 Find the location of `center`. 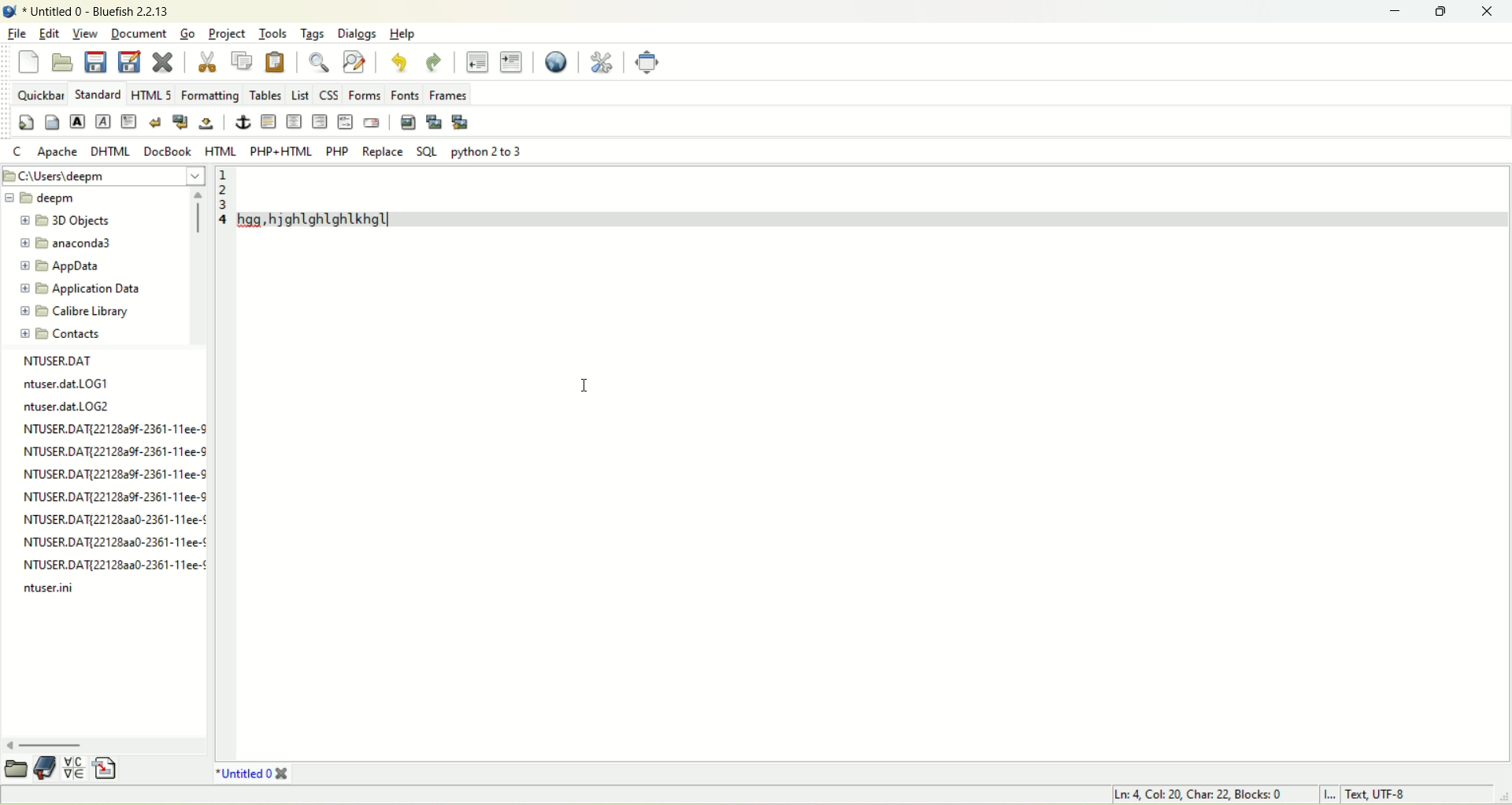

center is located at coordinates (295, 122).